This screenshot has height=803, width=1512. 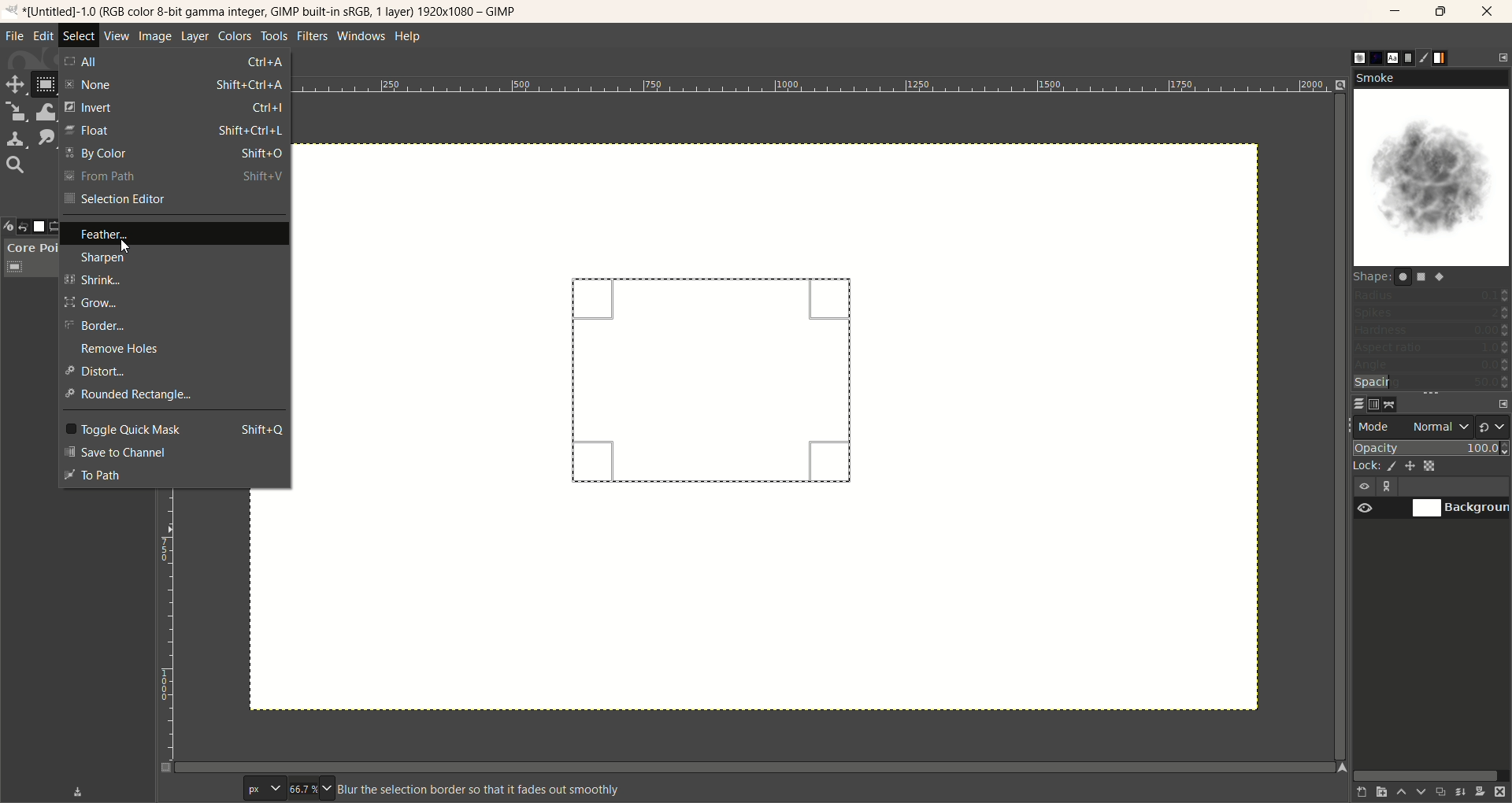 What do you see at coordinates (172, 372) in the screenshot?
I see `distort` at bounding box center [172, 372].